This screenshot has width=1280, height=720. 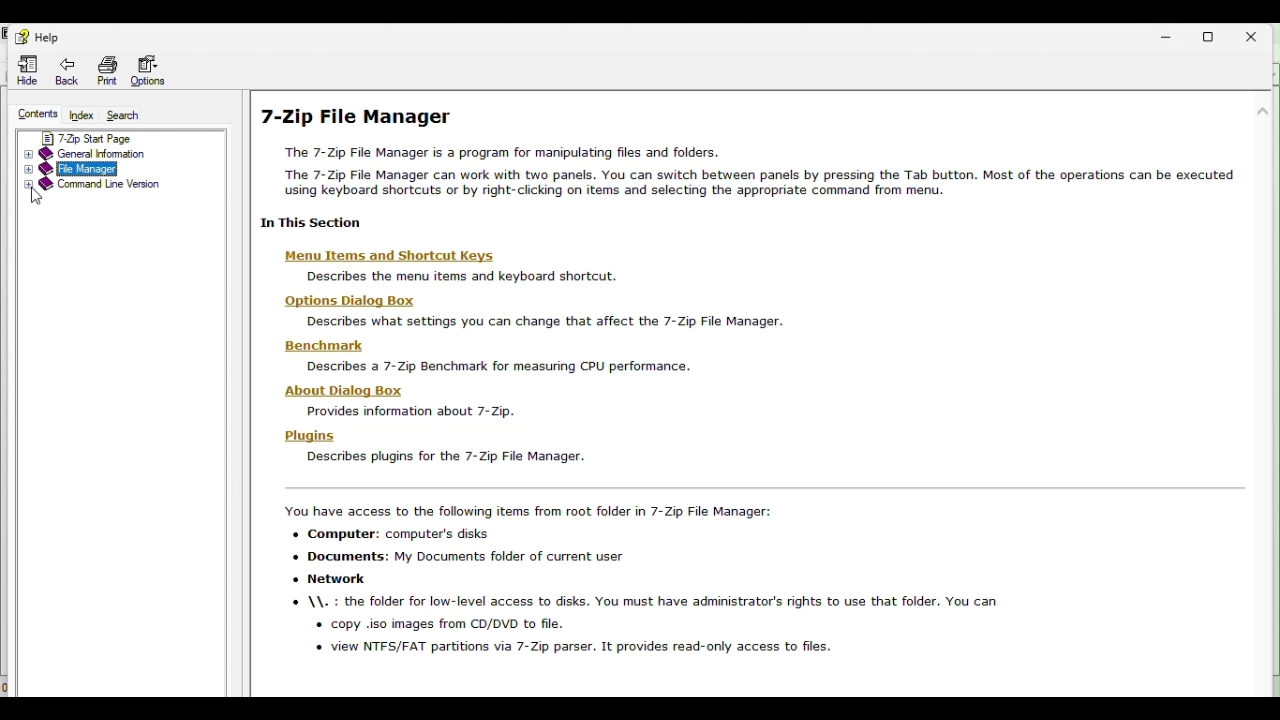 What do you see at coordinates (344, 301) in the screenshot?
I see `options dialog box` at bounding box center [344, 301].